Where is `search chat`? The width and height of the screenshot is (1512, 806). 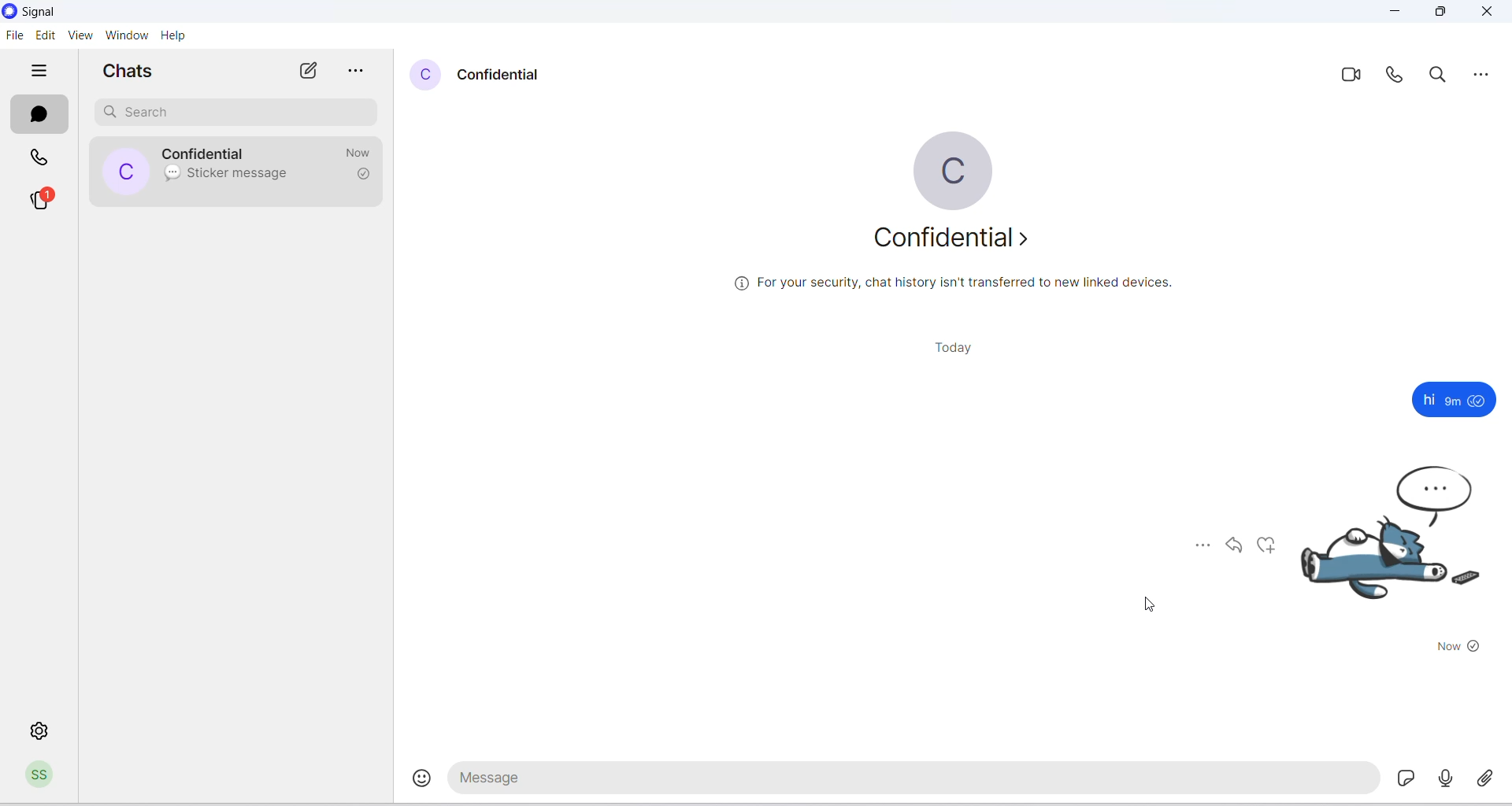
search chat is located at coordinates (235, 111).